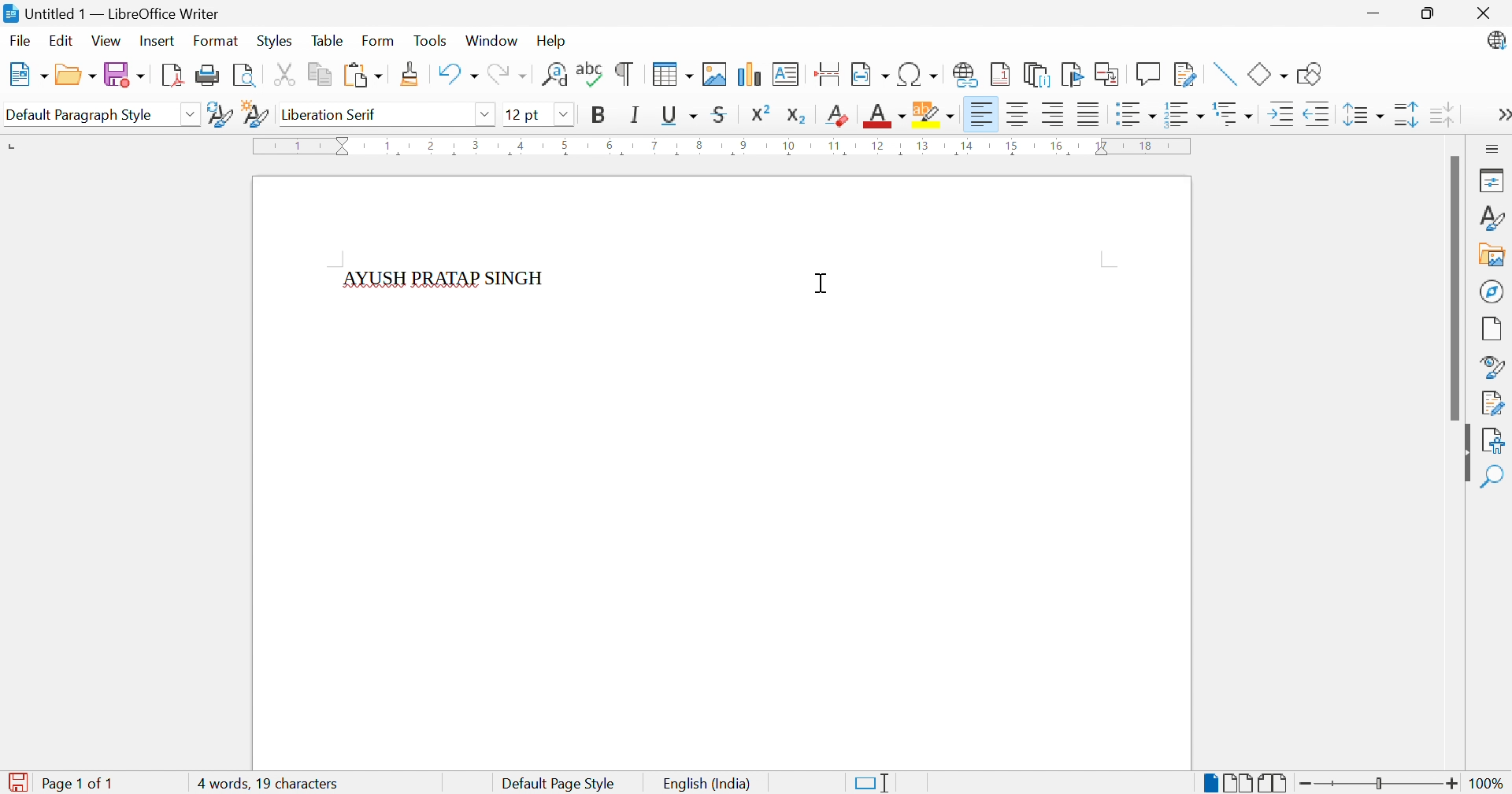 The height and width of the screenshot is (794, 1512). I want to click on Insert Special Characters, so click(918, 74).